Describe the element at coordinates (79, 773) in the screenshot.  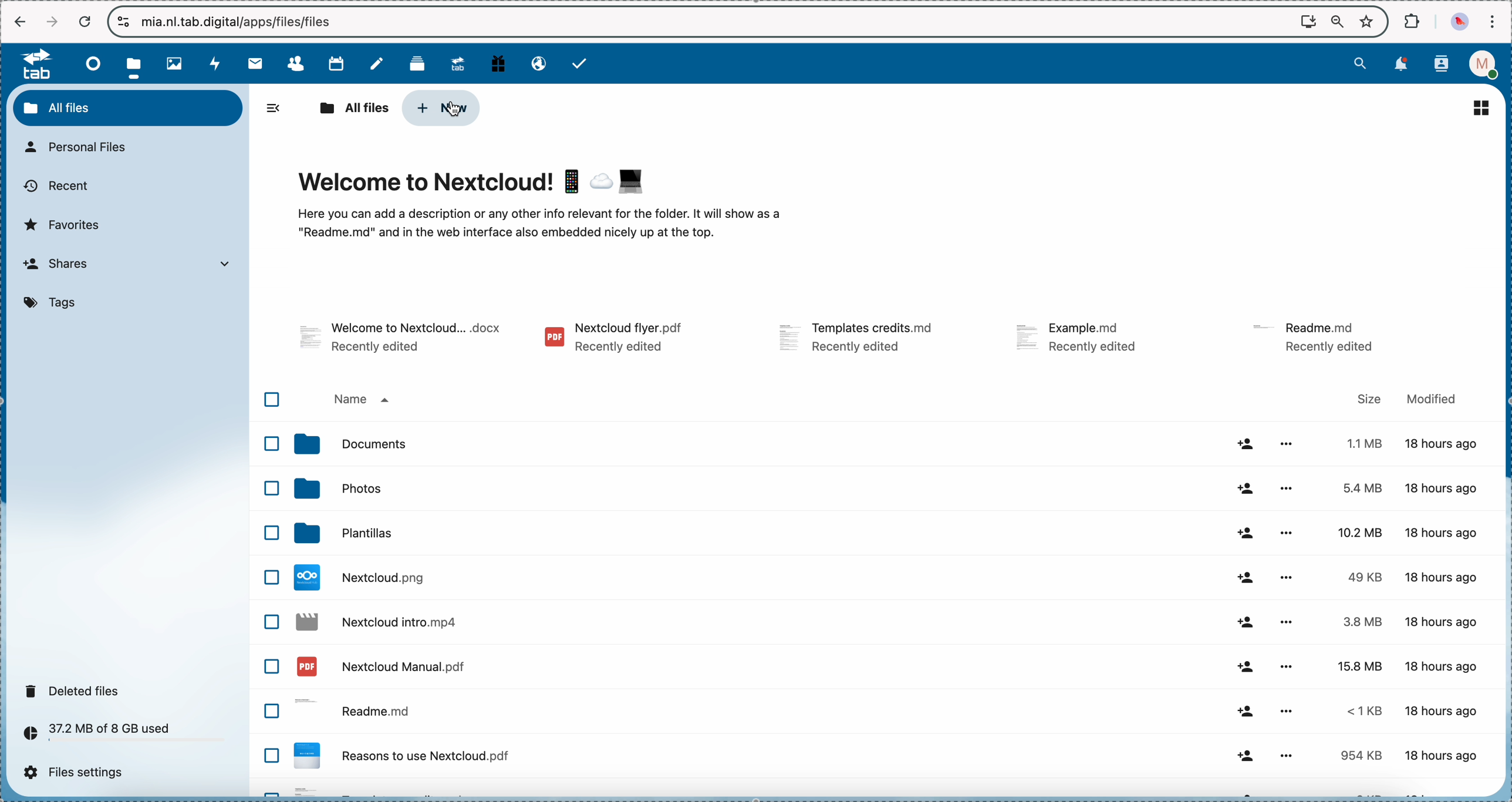
I see `files settings` at that location.